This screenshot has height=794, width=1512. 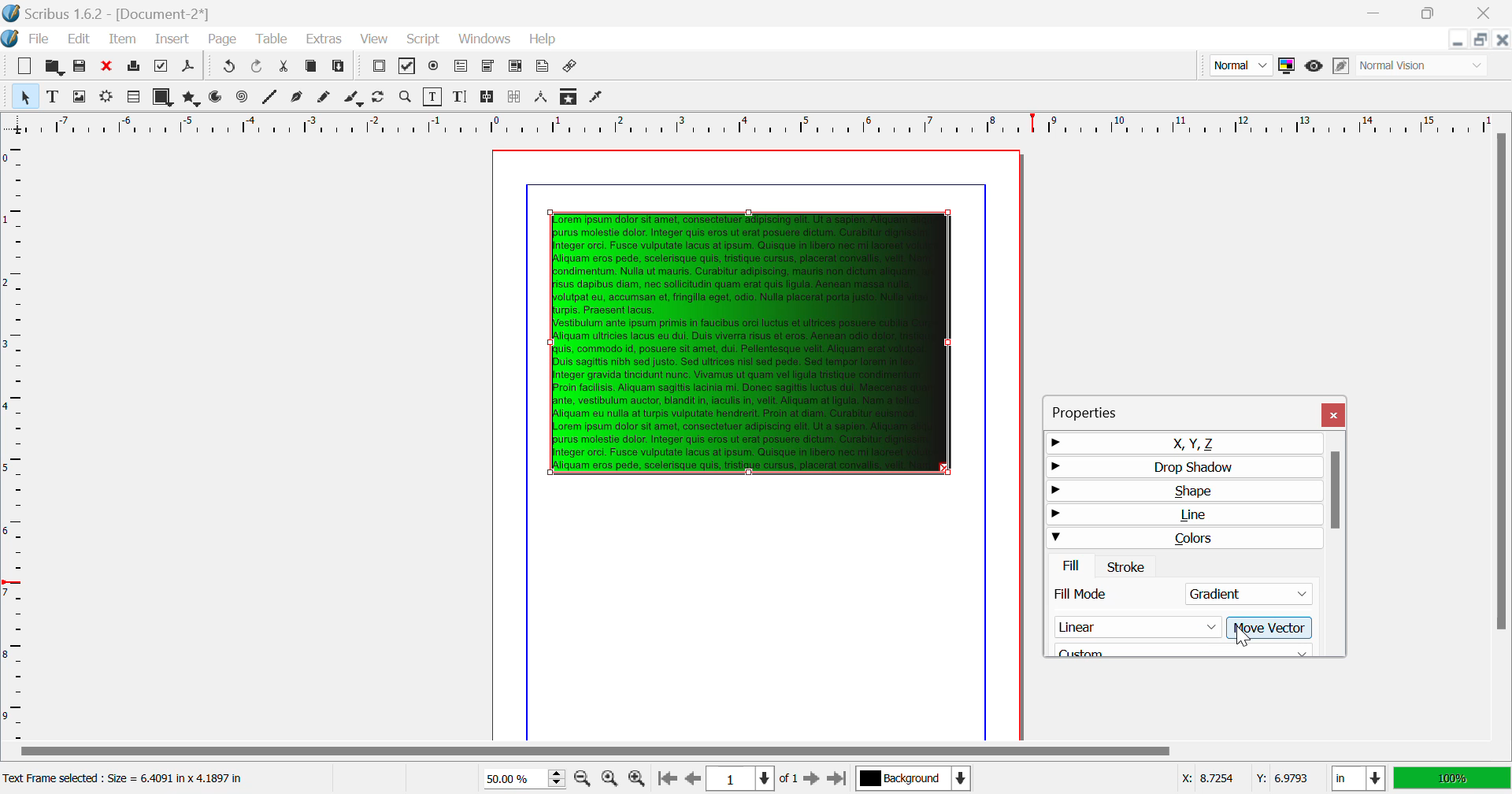 I want to click on Measurements, so click(x=543, y=98).